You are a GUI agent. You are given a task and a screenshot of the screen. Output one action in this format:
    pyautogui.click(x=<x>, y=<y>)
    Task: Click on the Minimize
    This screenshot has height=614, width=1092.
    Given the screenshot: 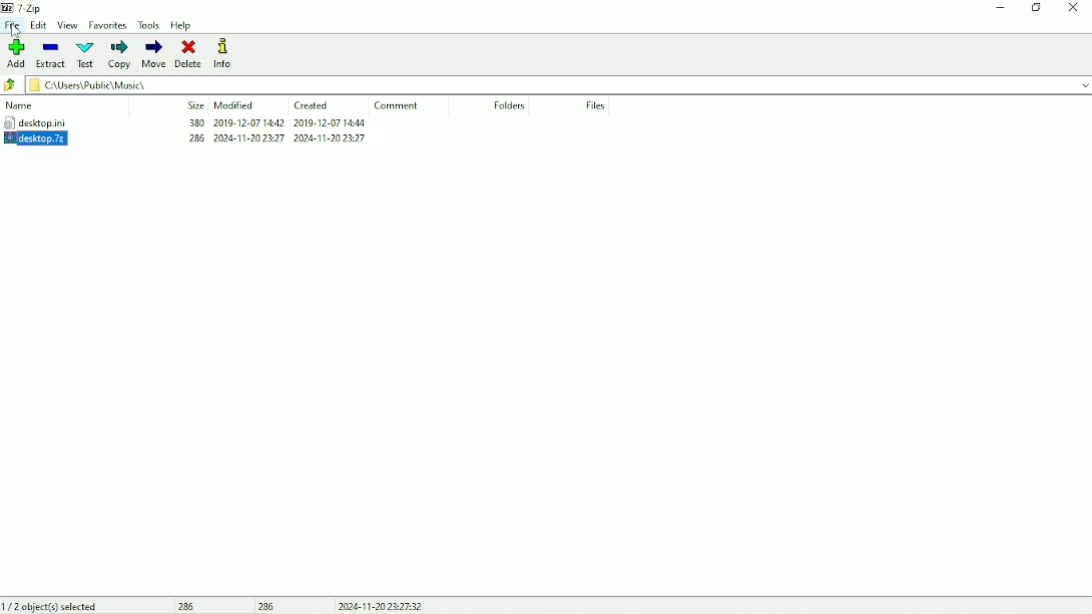 What is the action you would take?
    pyautogui.click(x=1001, y=10)
    